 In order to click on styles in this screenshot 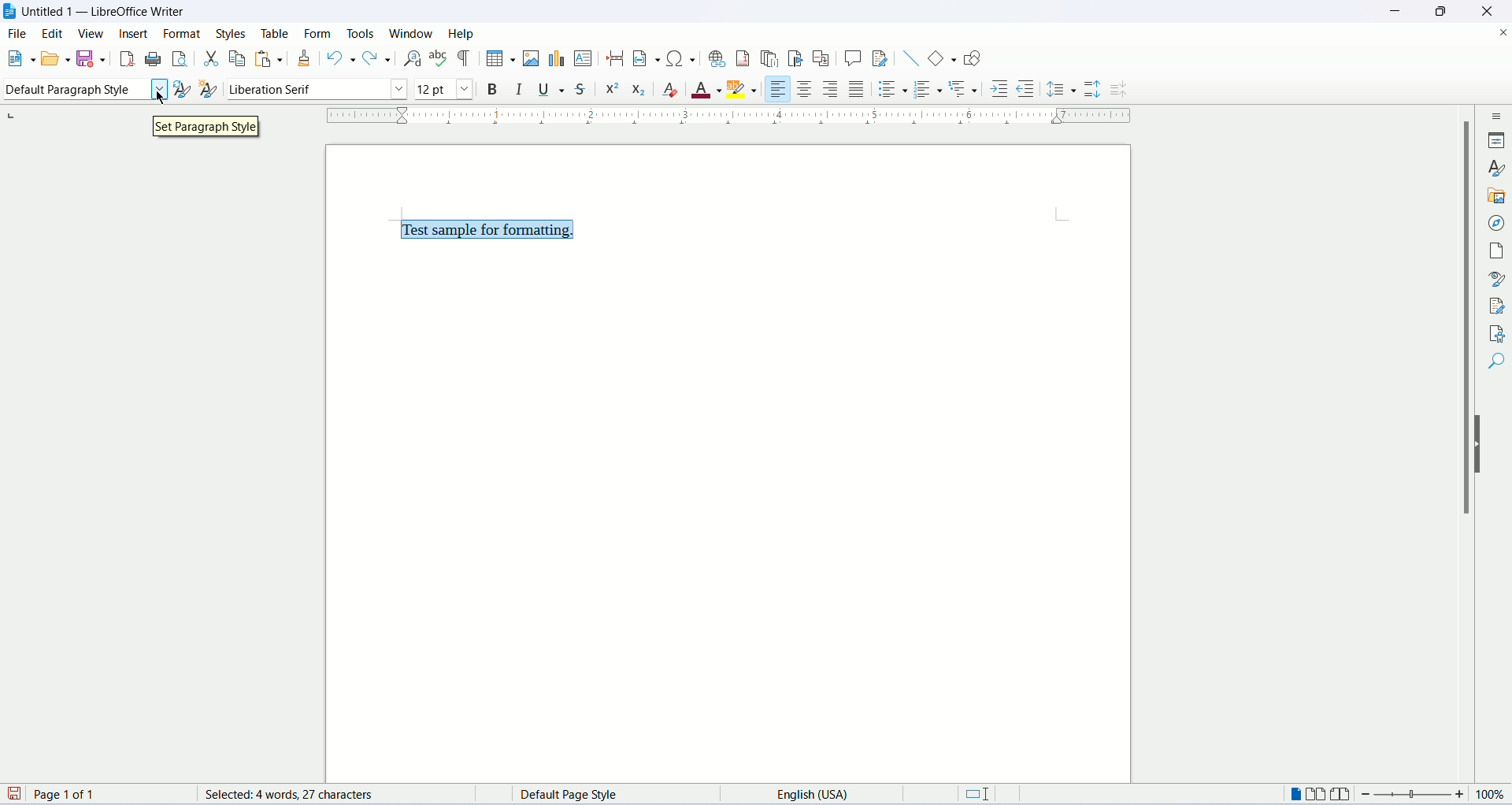, I will do `click(233, 31)`.